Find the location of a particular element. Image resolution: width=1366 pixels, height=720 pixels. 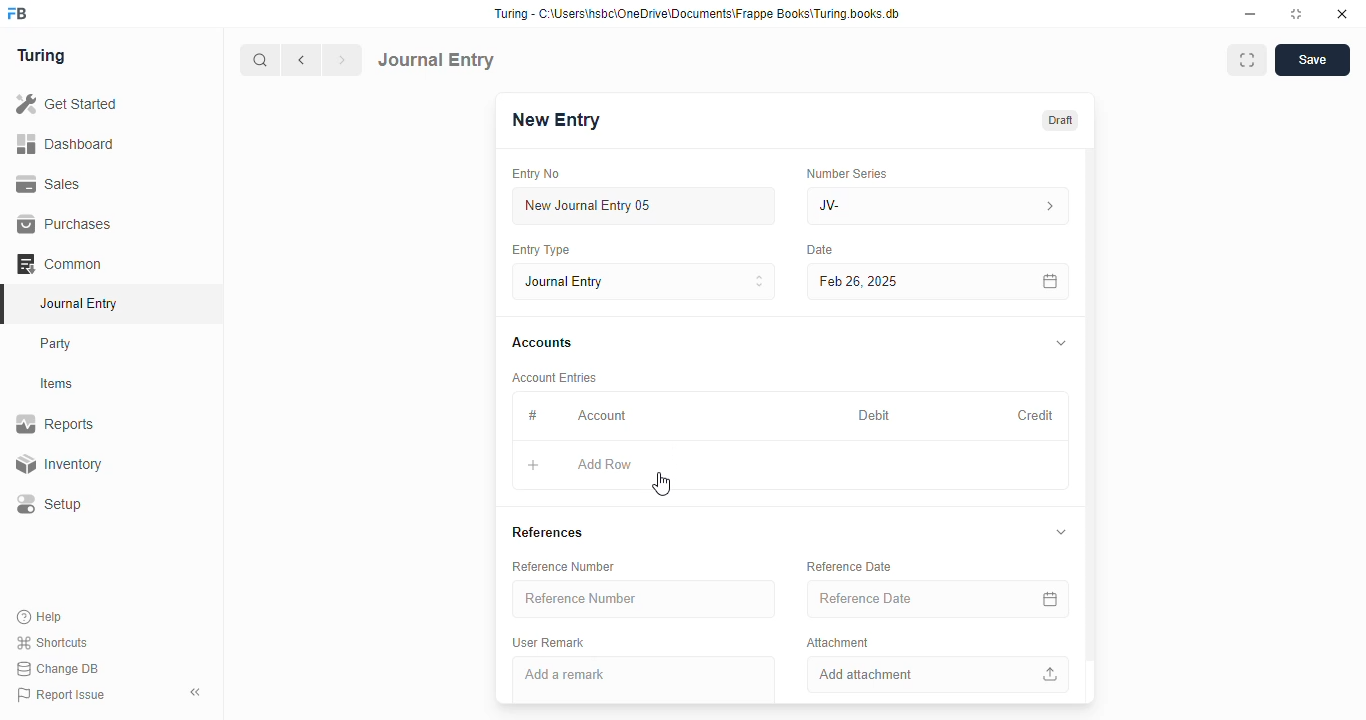

user remark is located at coordinates (548, 642).